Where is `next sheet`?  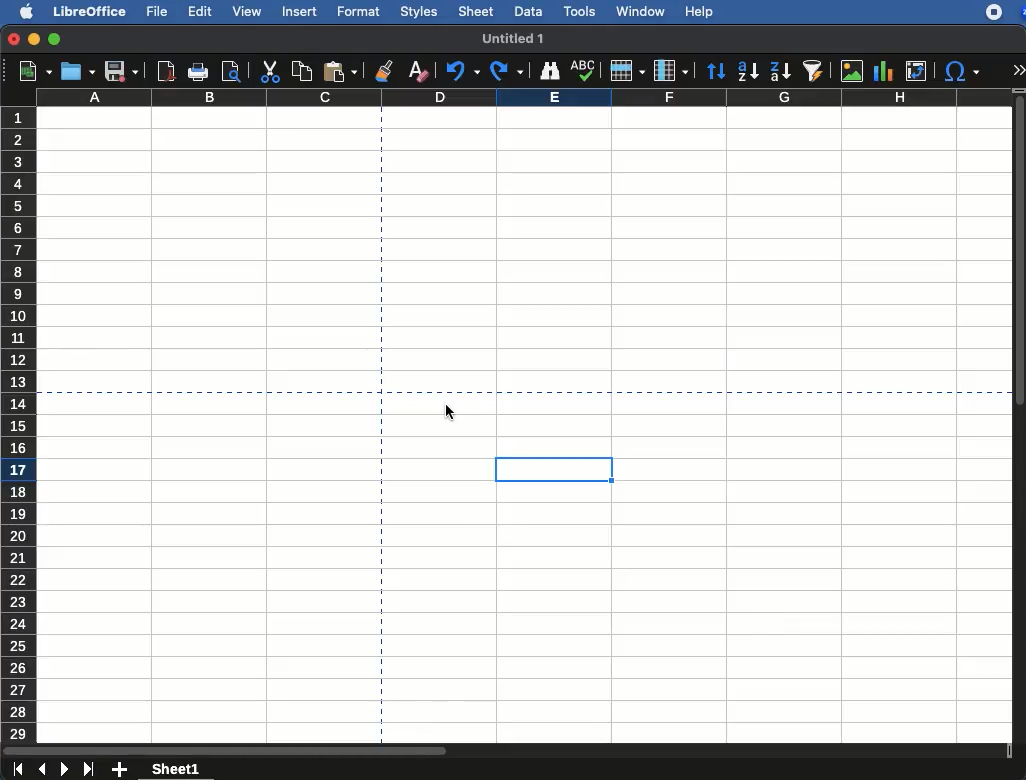 next sheet is located at coordinates (66, 770).